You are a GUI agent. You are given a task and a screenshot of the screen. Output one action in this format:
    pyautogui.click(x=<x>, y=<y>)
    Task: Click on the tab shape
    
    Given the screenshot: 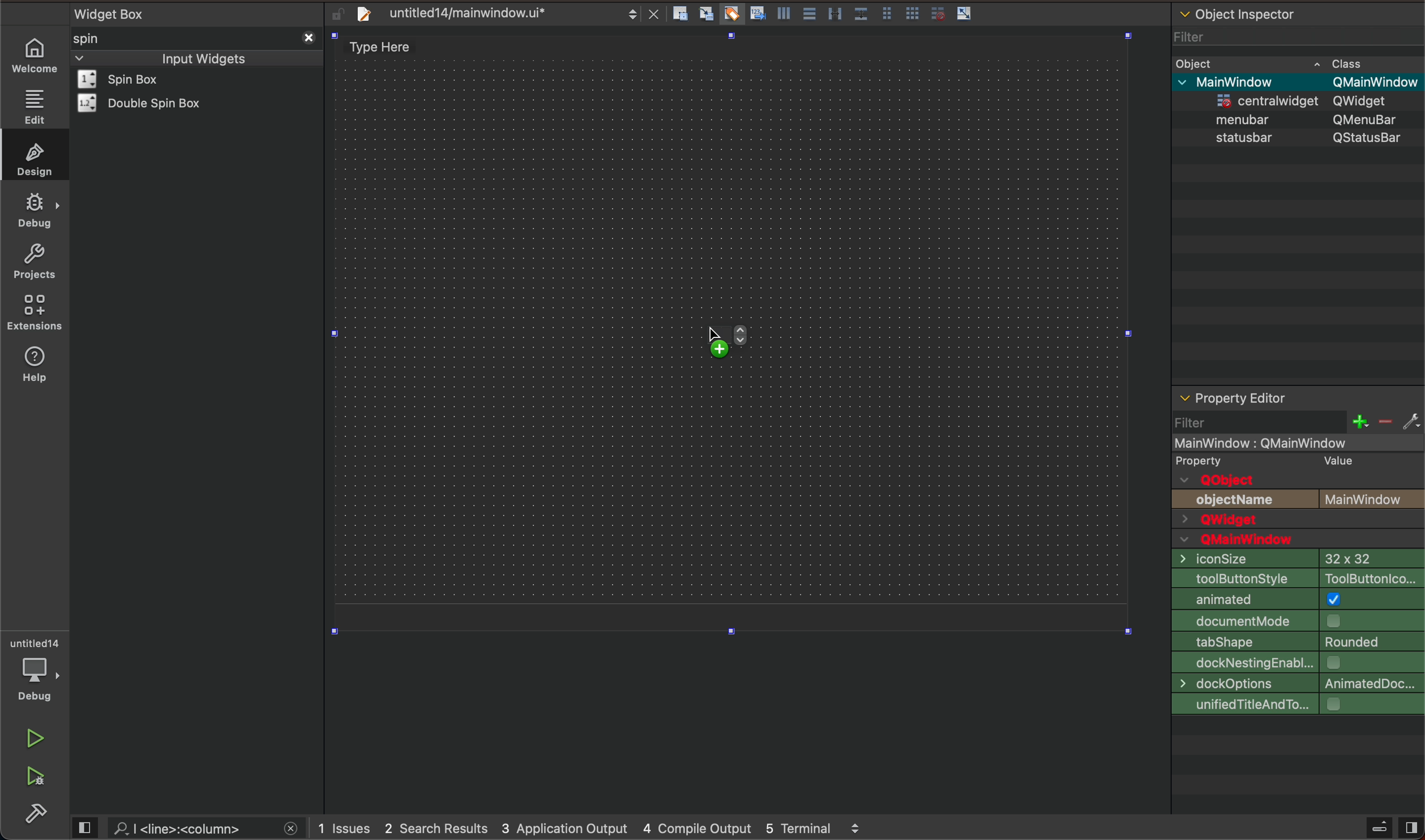 What is the action you would take?
    pyautogui.click(x=1298, y=641)
    